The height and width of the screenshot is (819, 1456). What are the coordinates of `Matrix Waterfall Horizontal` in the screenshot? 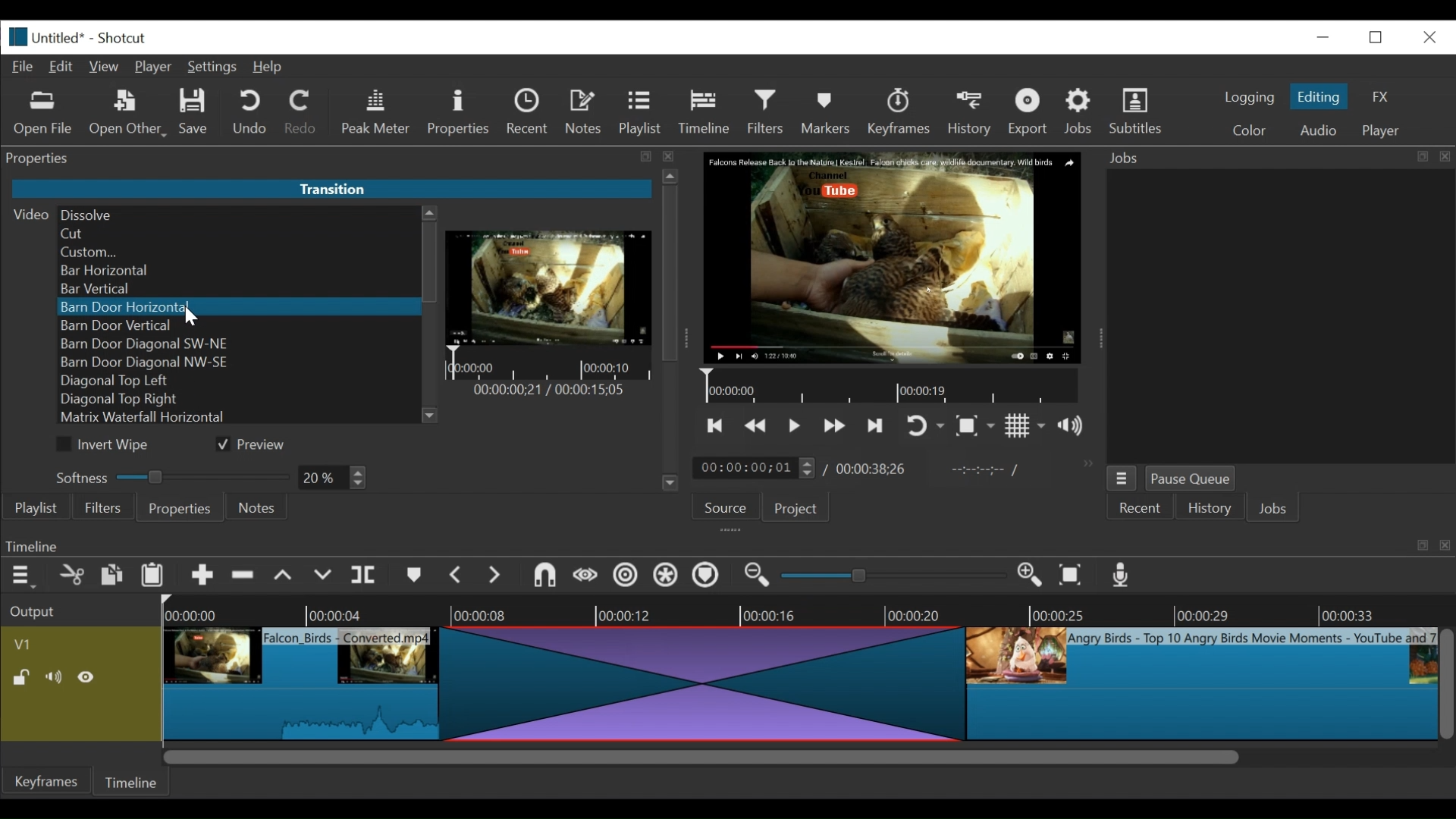 It's located at (240, 419).